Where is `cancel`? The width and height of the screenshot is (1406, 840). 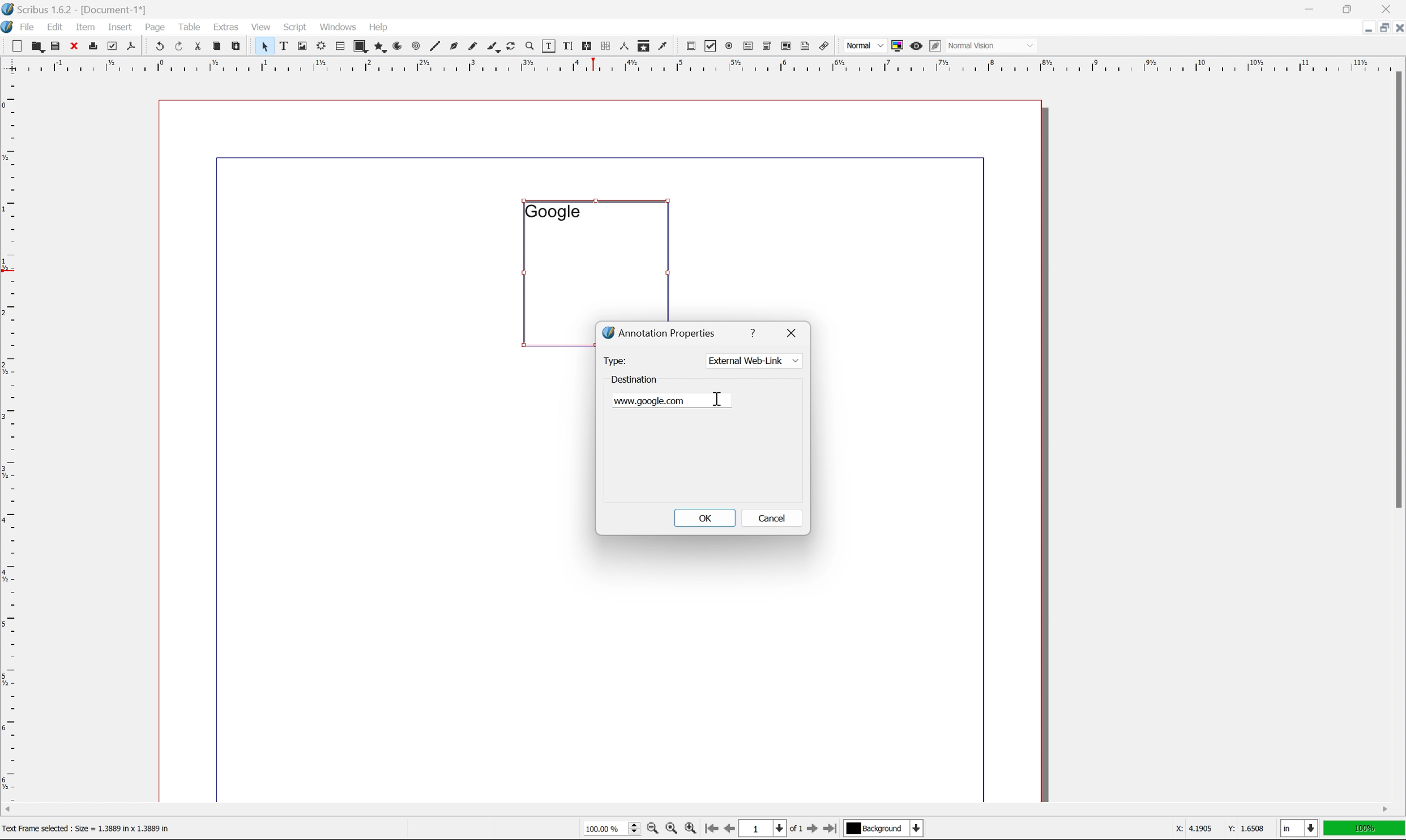 cancel is located at coordinates (772, 520).